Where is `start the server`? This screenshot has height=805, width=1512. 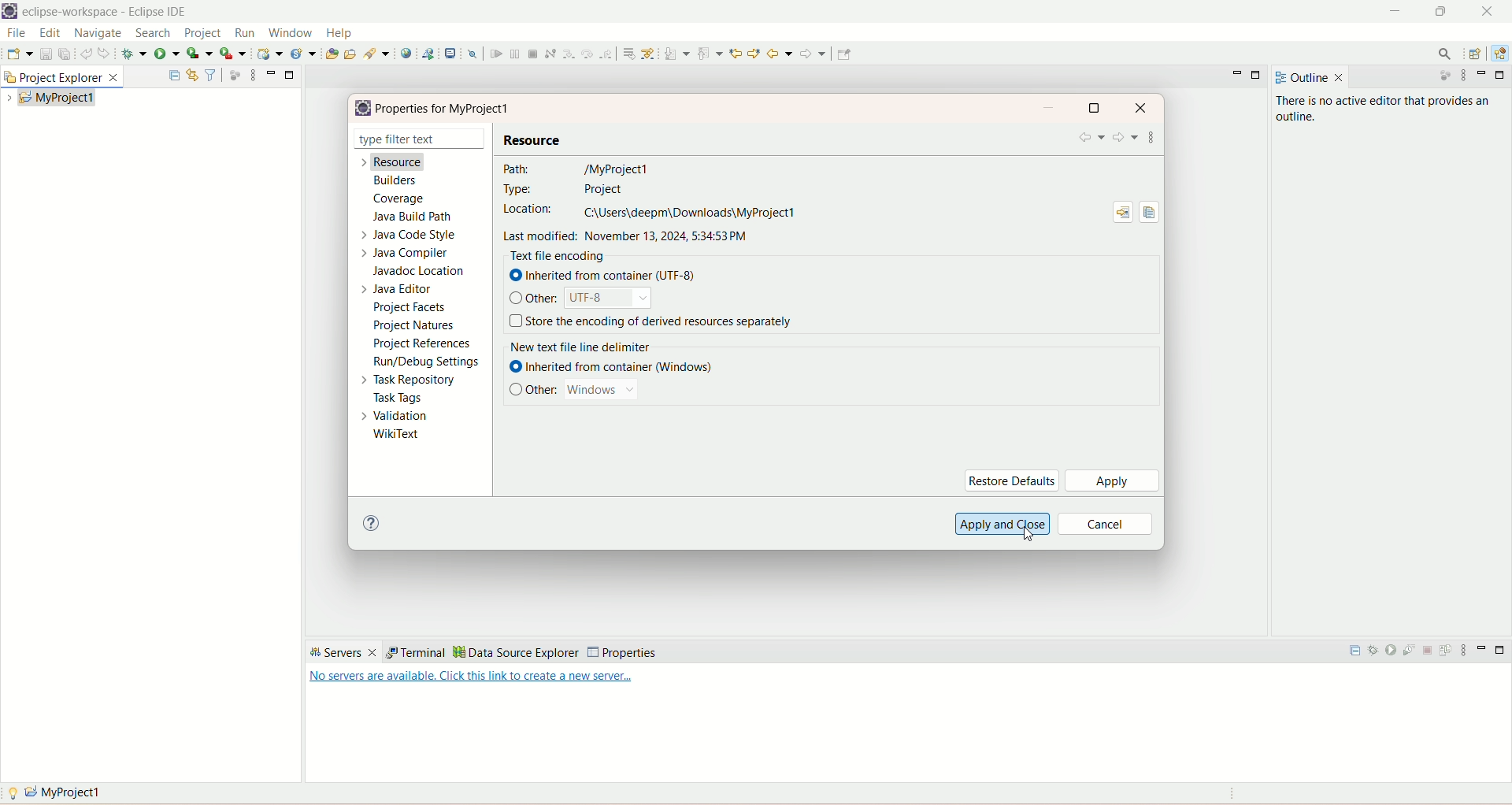 start the server is located at coordinates (1393, 653).